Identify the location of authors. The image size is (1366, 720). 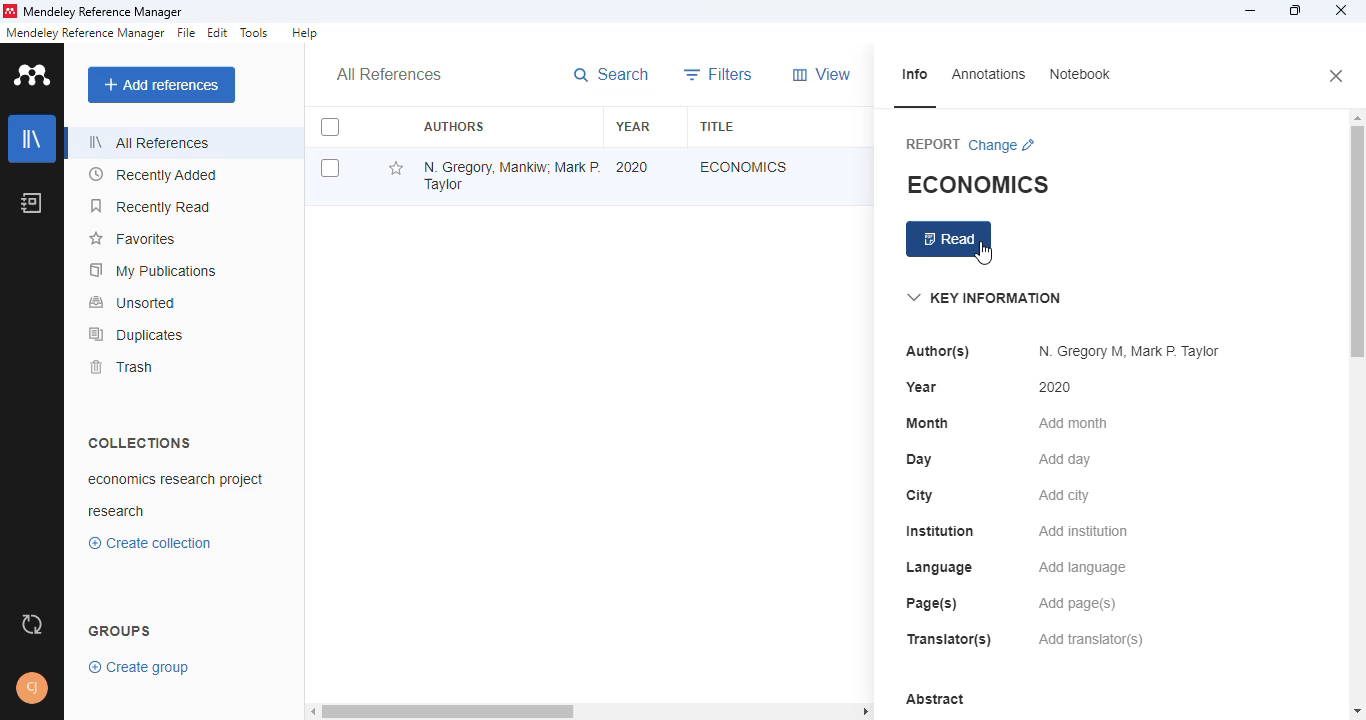
(454, 126).